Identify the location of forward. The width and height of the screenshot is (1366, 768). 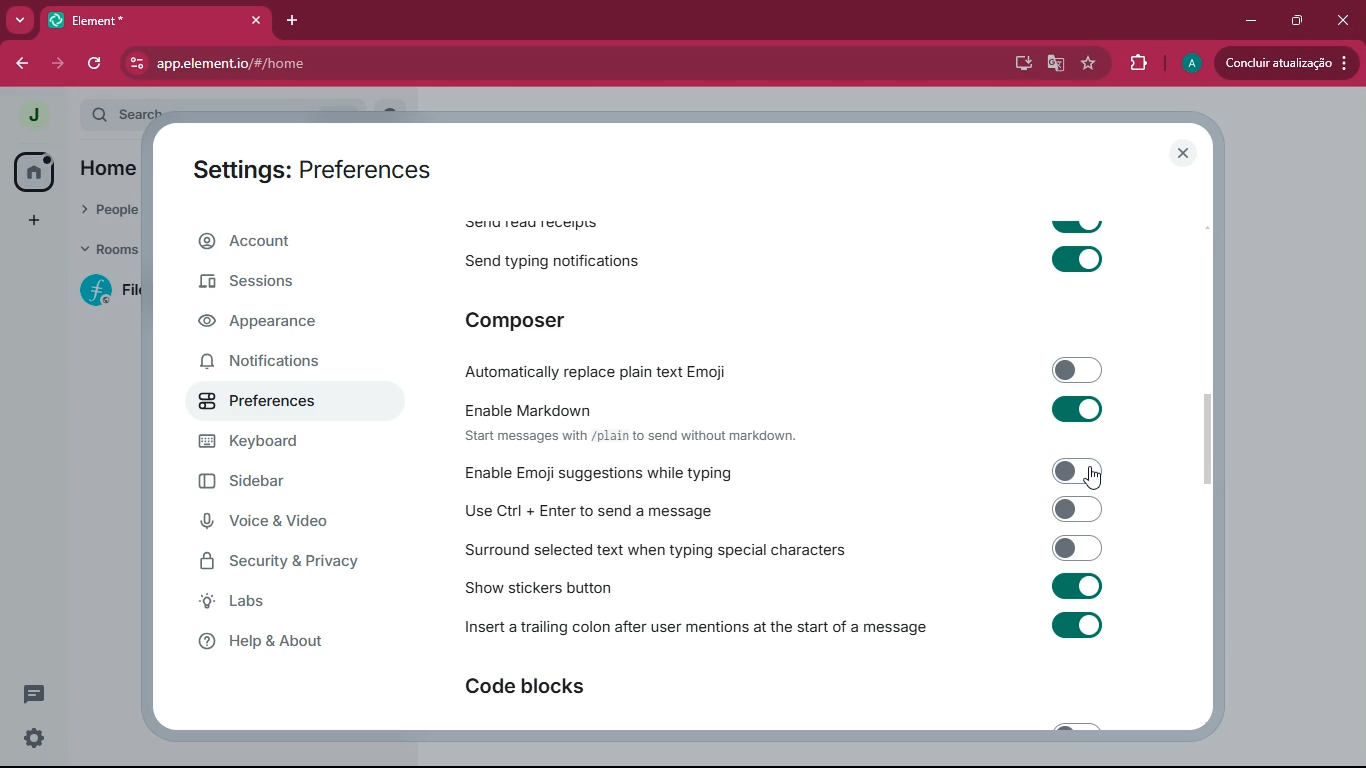
(55, 63).